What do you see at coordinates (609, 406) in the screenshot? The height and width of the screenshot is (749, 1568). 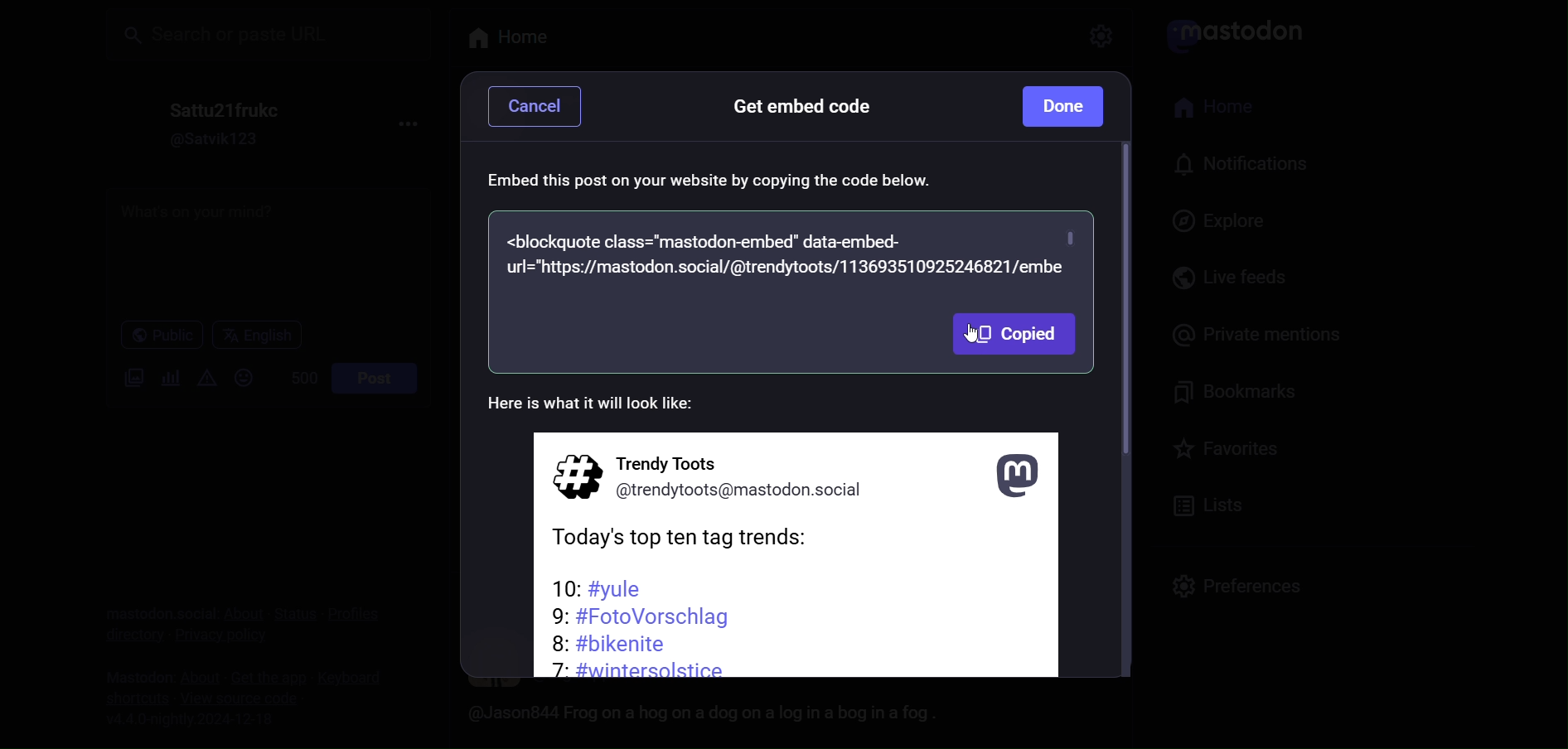 I see `preview text` at bounding box center [609, 406].